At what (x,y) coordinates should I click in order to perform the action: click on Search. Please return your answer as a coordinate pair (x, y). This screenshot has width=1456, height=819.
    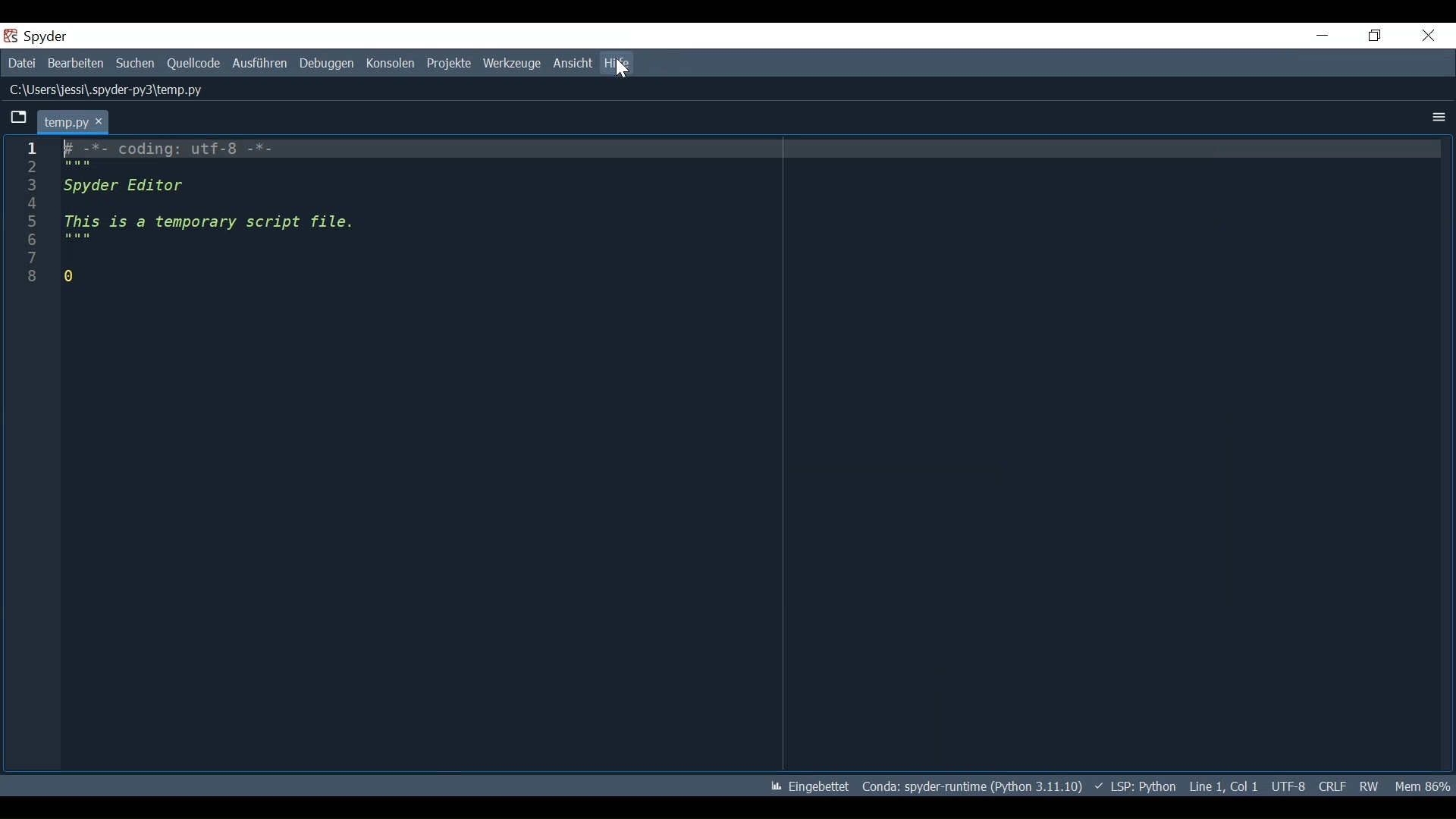
    Looking at the image, I should click on (135, 64).